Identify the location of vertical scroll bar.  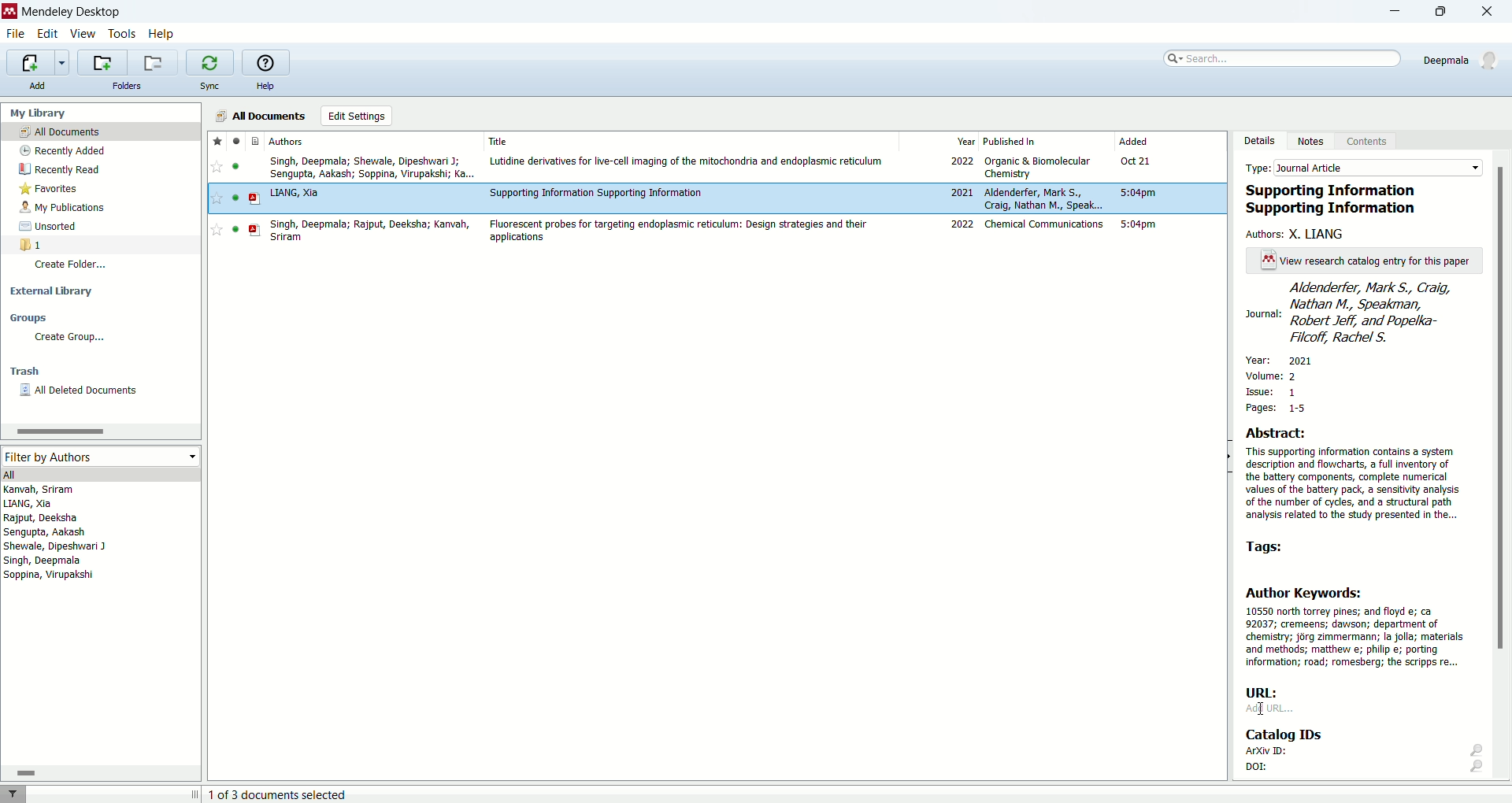
(1503, 469).